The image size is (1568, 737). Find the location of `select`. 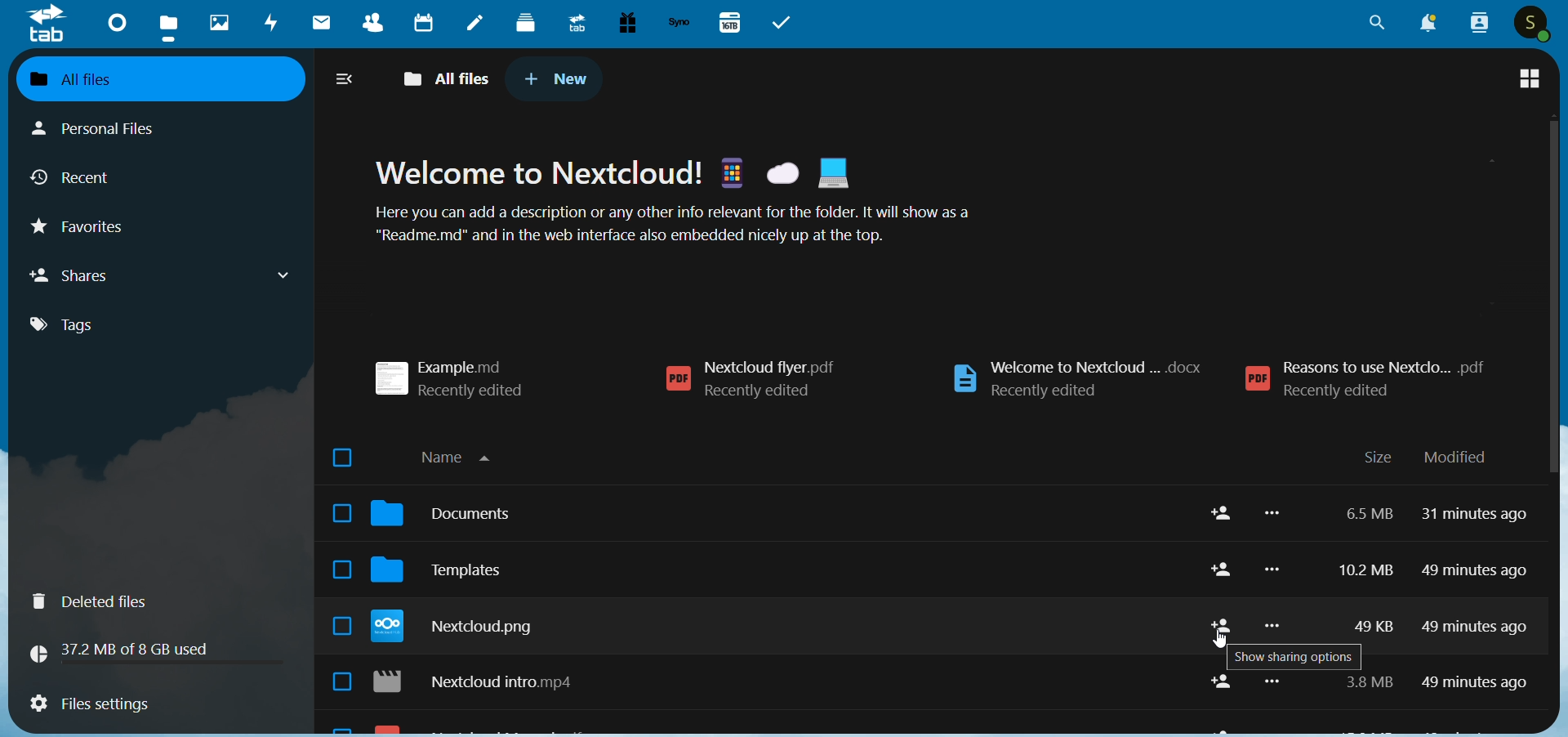

select is located at coordinates (335, 572).